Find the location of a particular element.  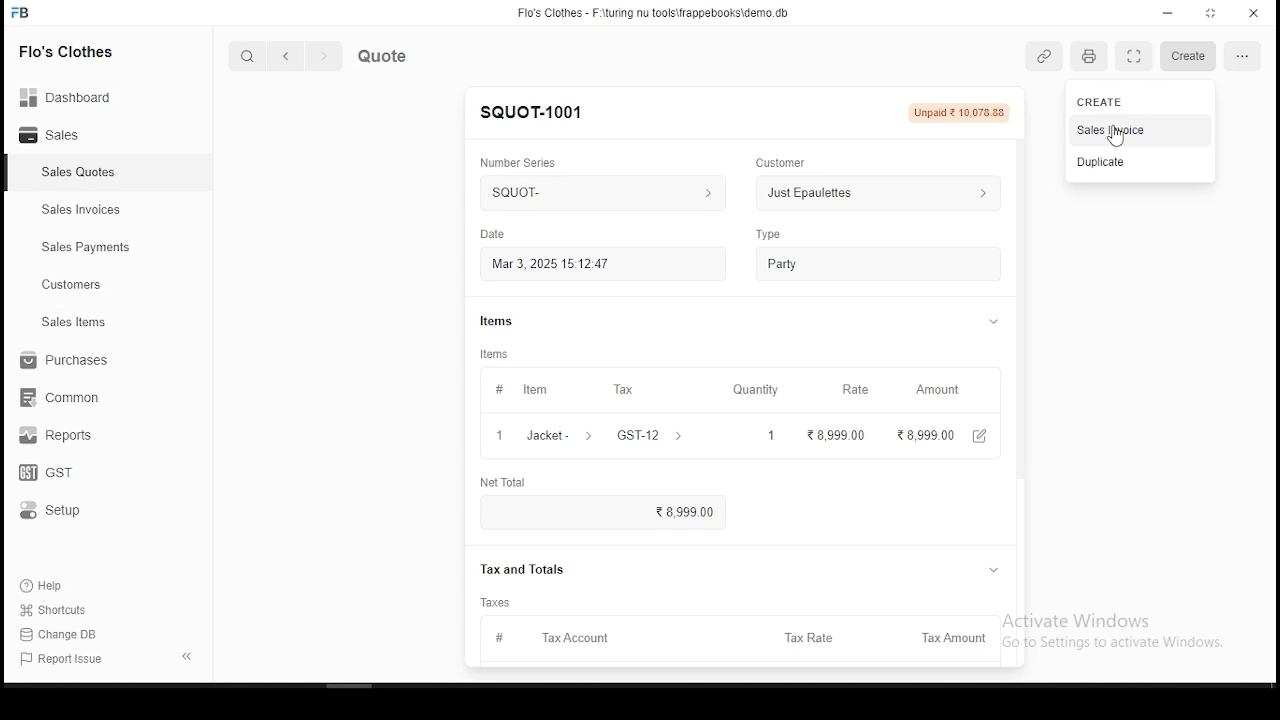

customer is located at coordinates (787, 158).